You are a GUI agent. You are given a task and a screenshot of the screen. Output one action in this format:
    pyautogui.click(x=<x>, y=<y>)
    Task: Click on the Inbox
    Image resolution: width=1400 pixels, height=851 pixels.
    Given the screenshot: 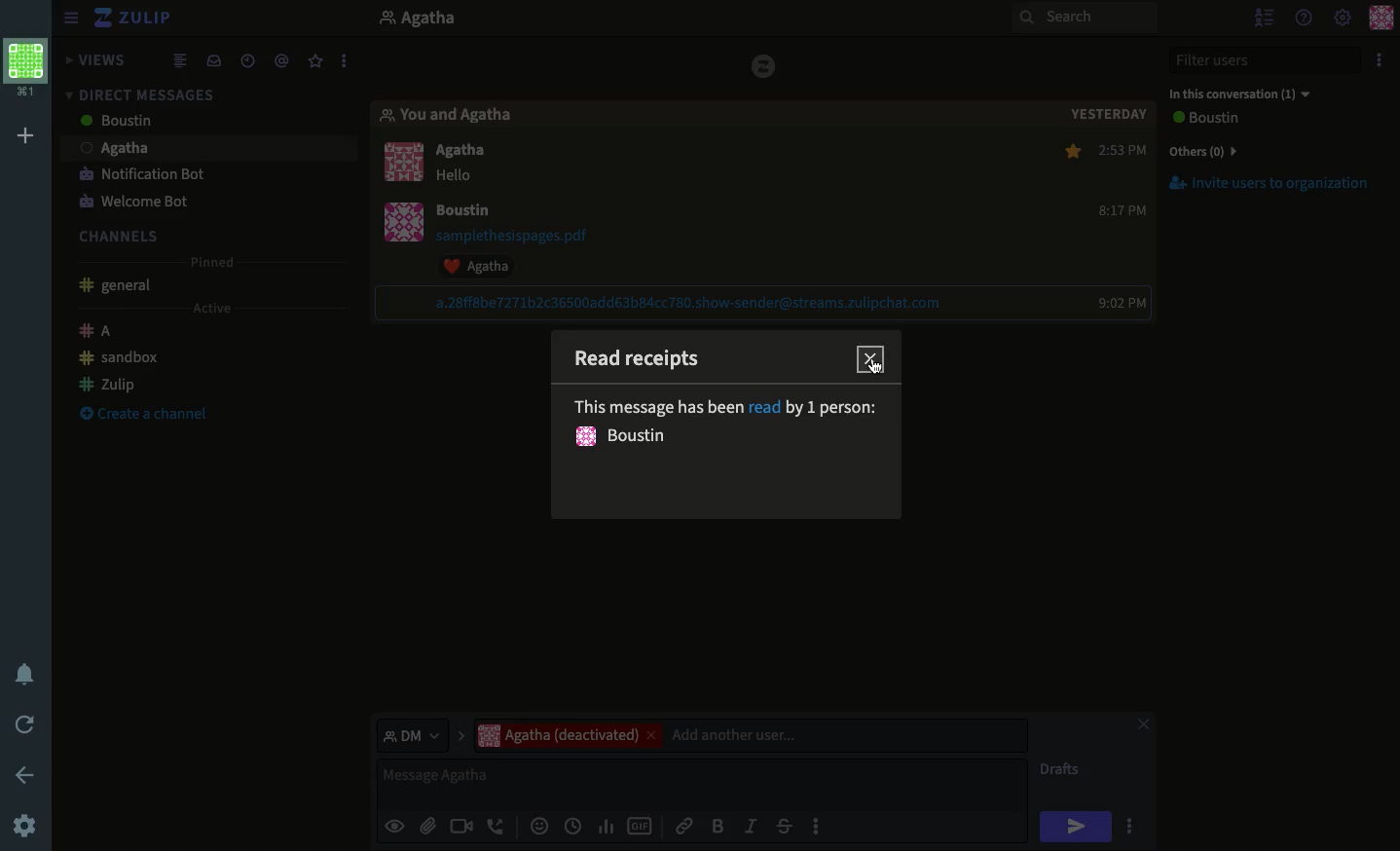 What is the action you would take?
    pyautogui.click(x=203, y=91)
    